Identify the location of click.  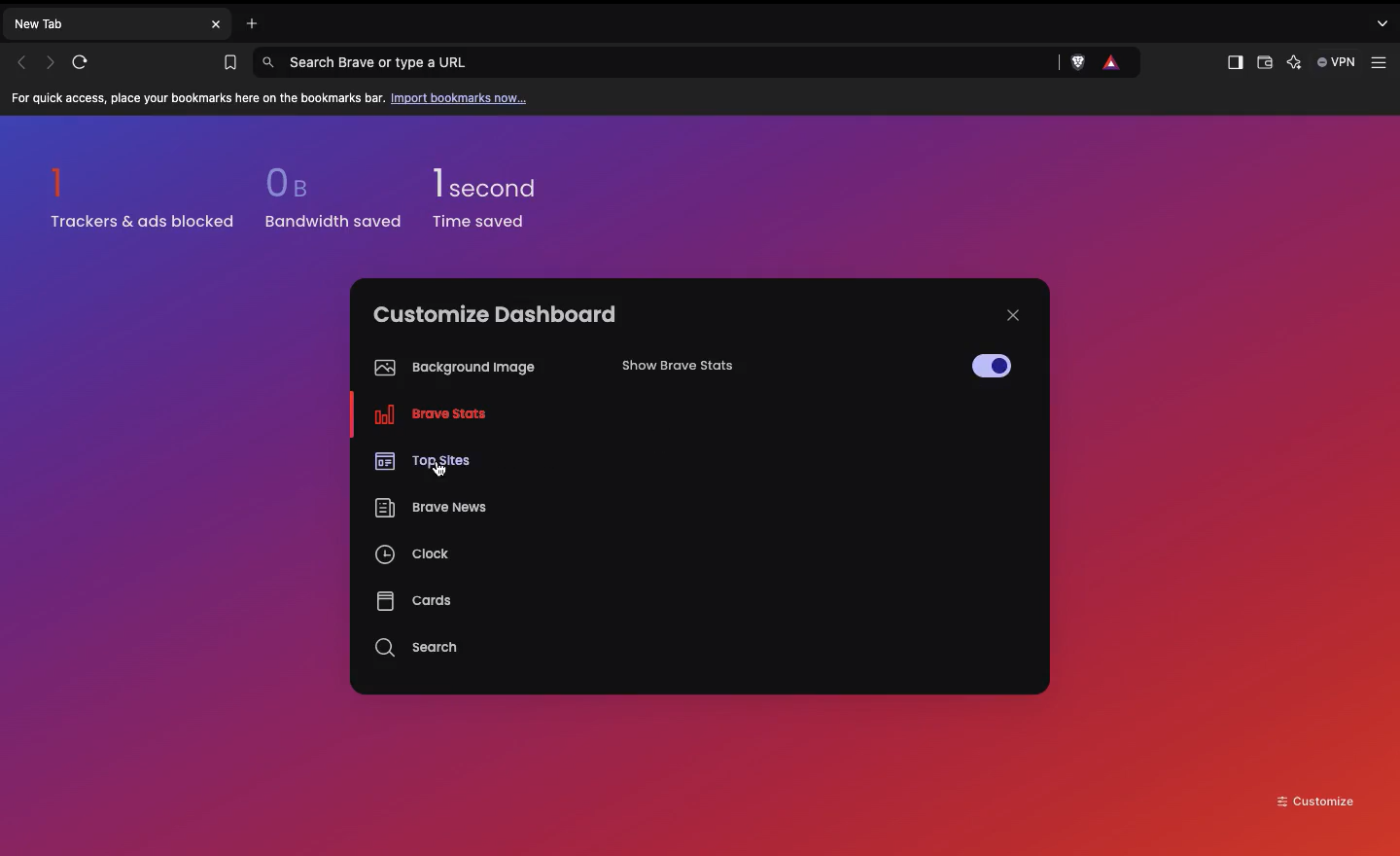
(986, 366).